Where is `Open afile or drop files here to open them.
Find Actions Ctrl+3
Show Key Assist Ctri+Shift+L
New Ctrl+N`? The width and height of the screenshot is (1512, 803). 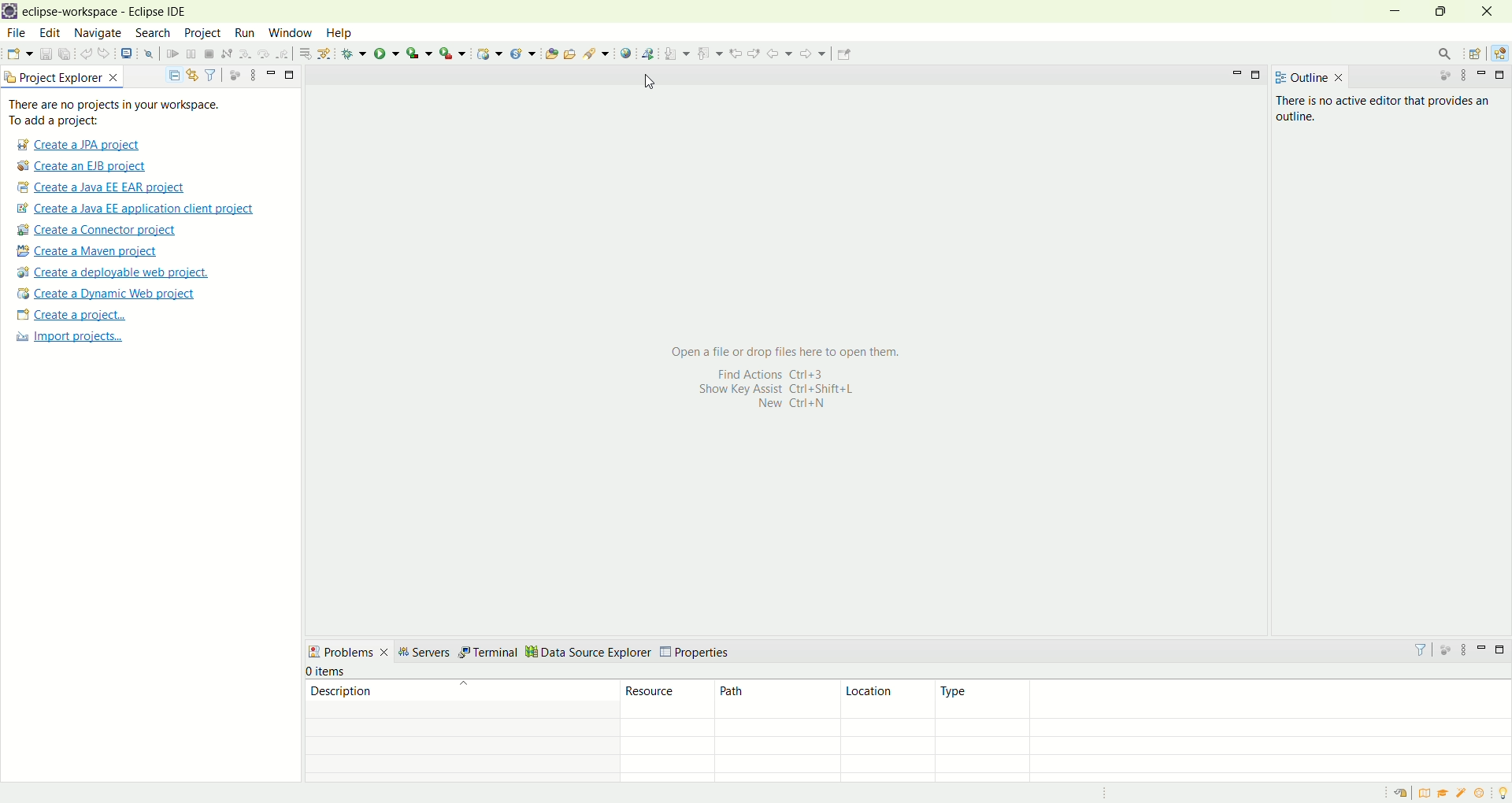
Open afile or drop files here to open them.
Find Actions Ctrl+3
Show Key Assist Ctri+Shift+L
New Ctrl+N is located at coordinates (780, 377).